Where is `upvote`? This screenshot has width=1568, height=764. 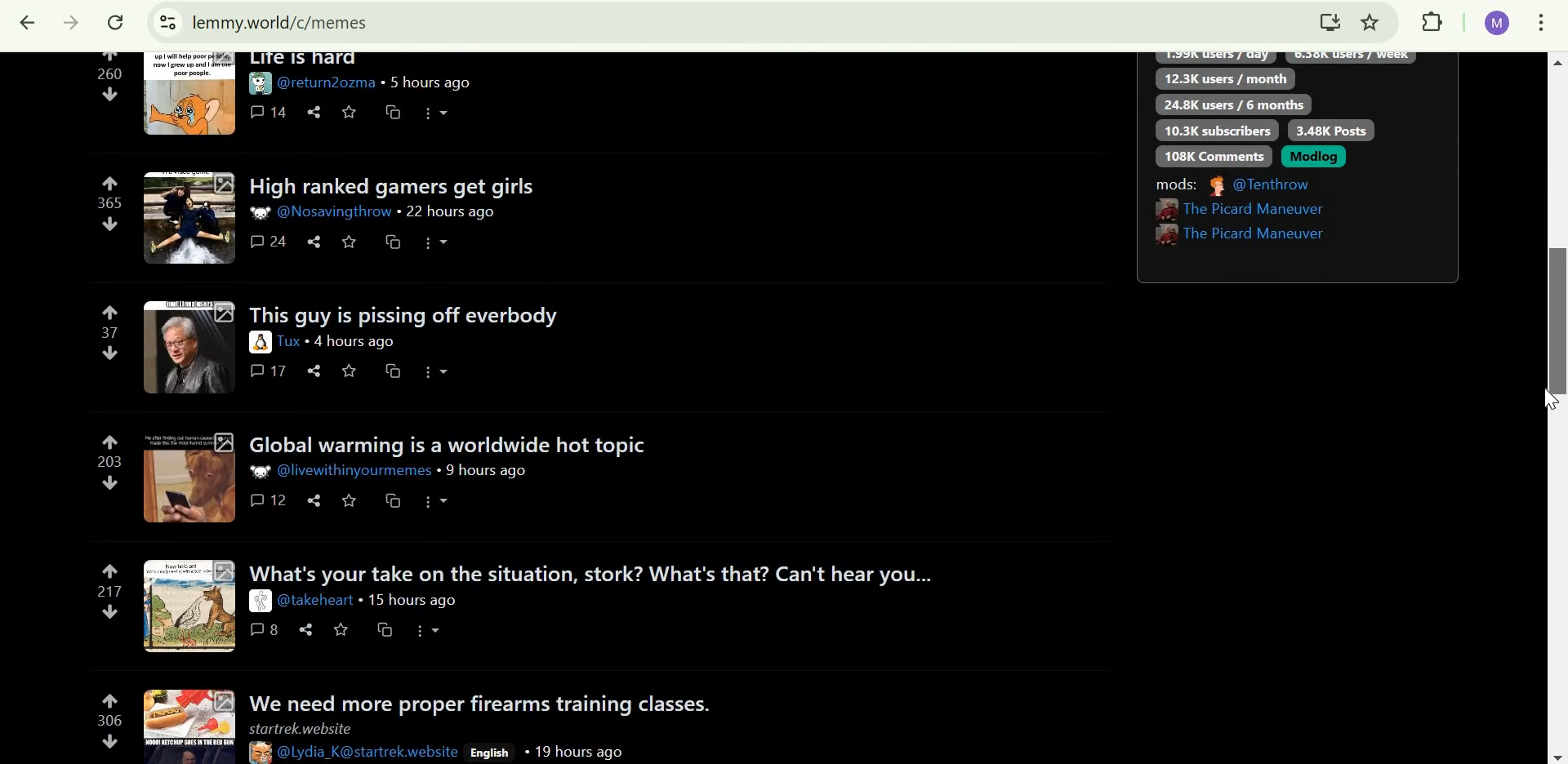 upvote is located at coordinates (109, 182).